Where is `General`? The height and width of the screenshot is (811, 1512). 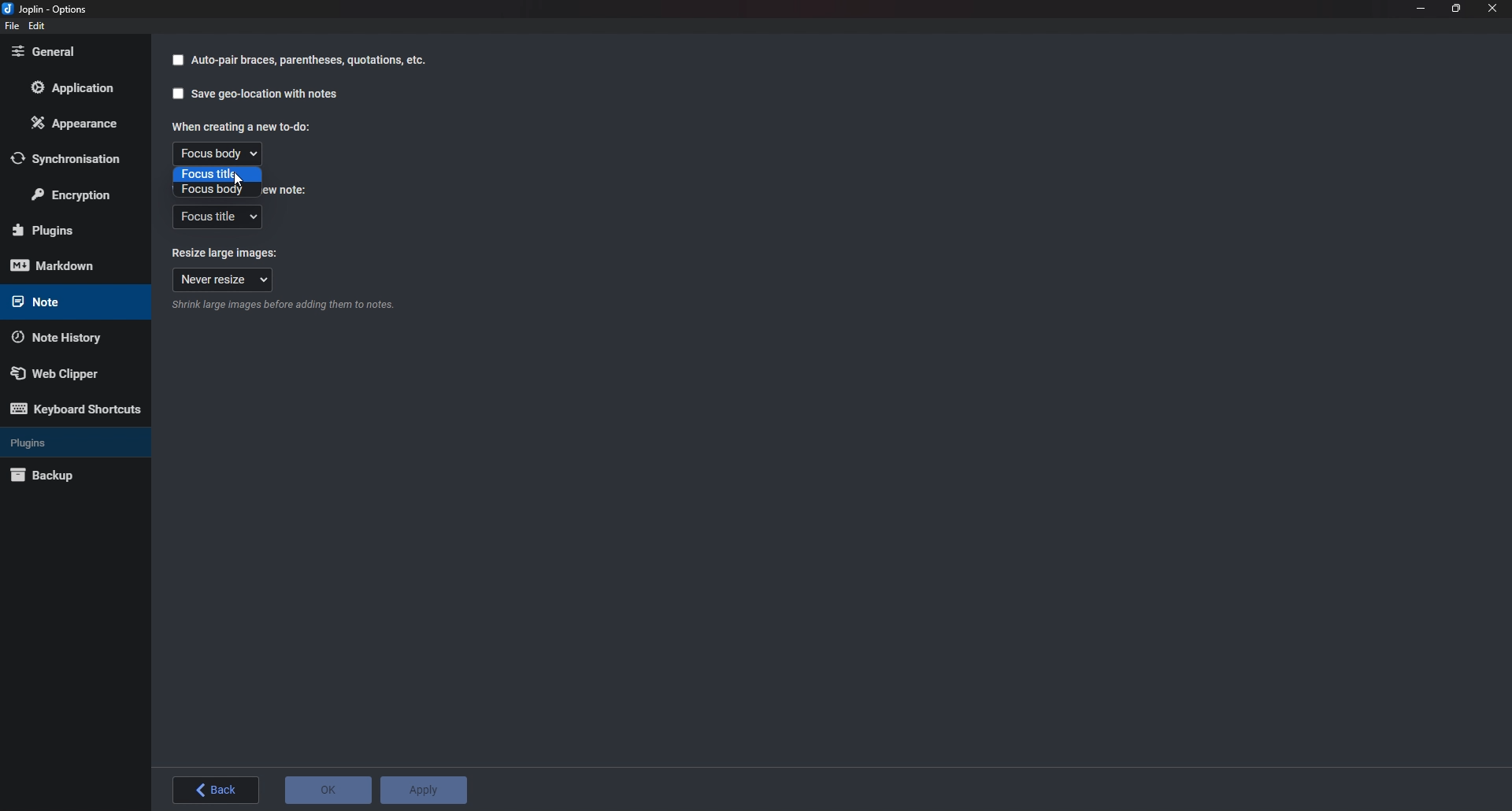
General is located at coordinates (71, 53).